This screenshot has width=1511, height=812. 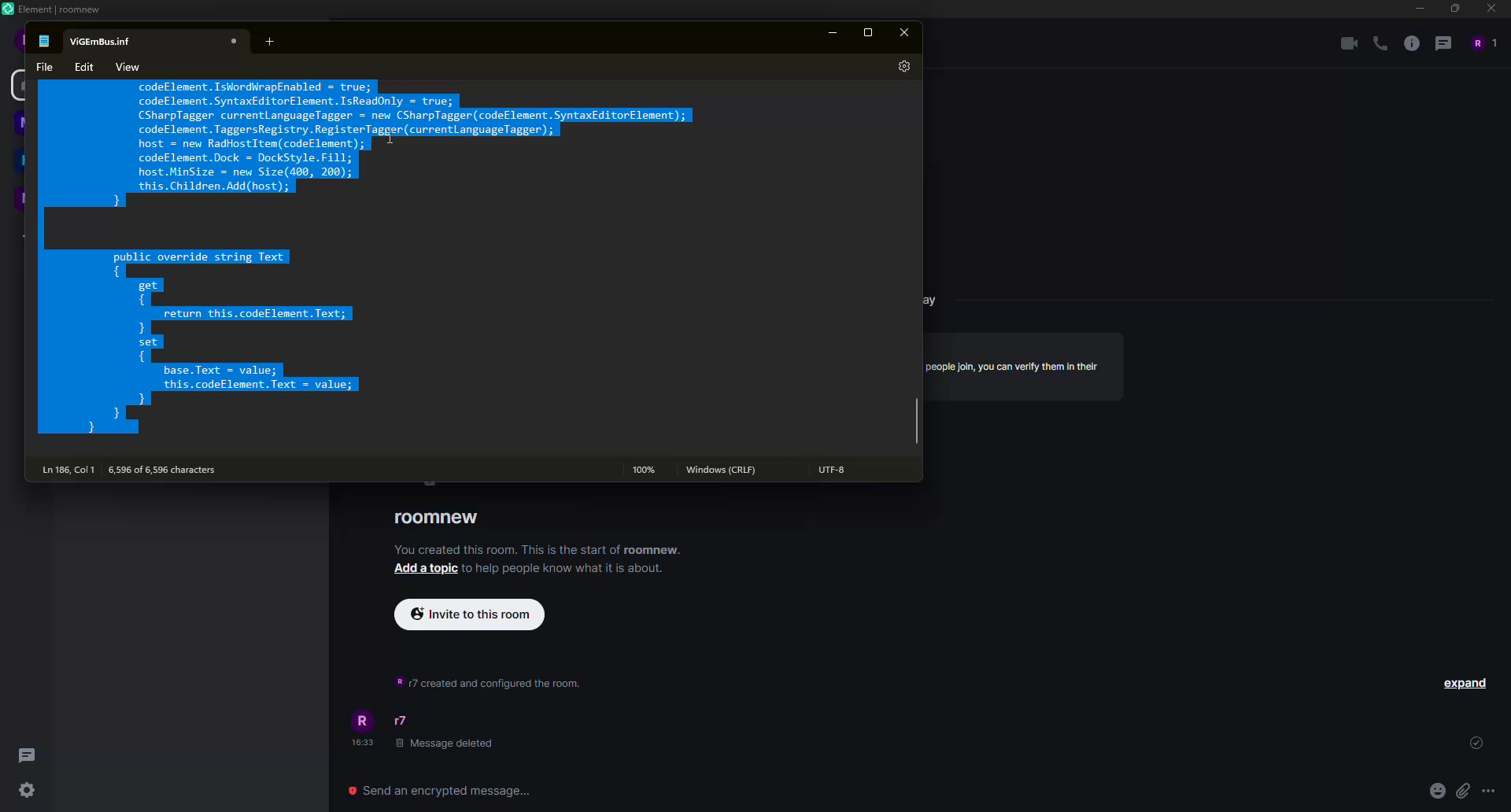 I want to click on video call, so click(x=1344, y=43).